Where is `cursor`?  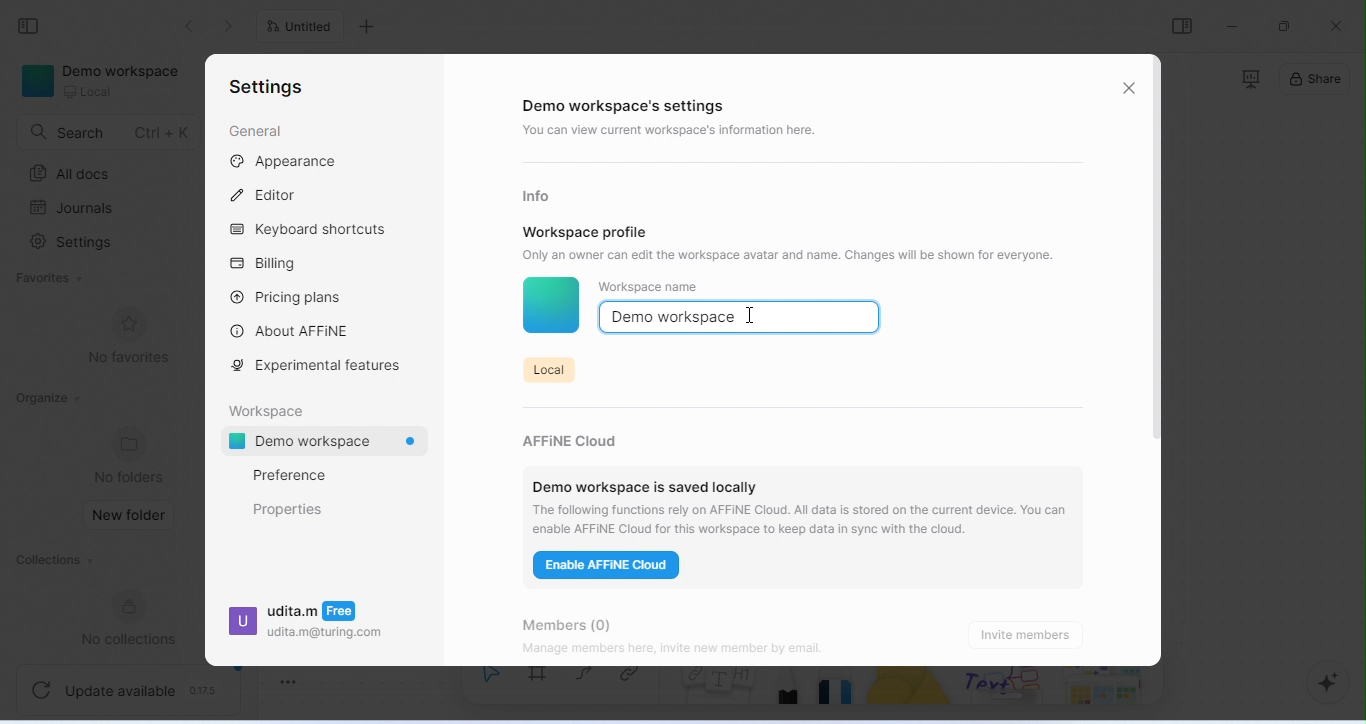
cursor is located at coordinates (751, 314).